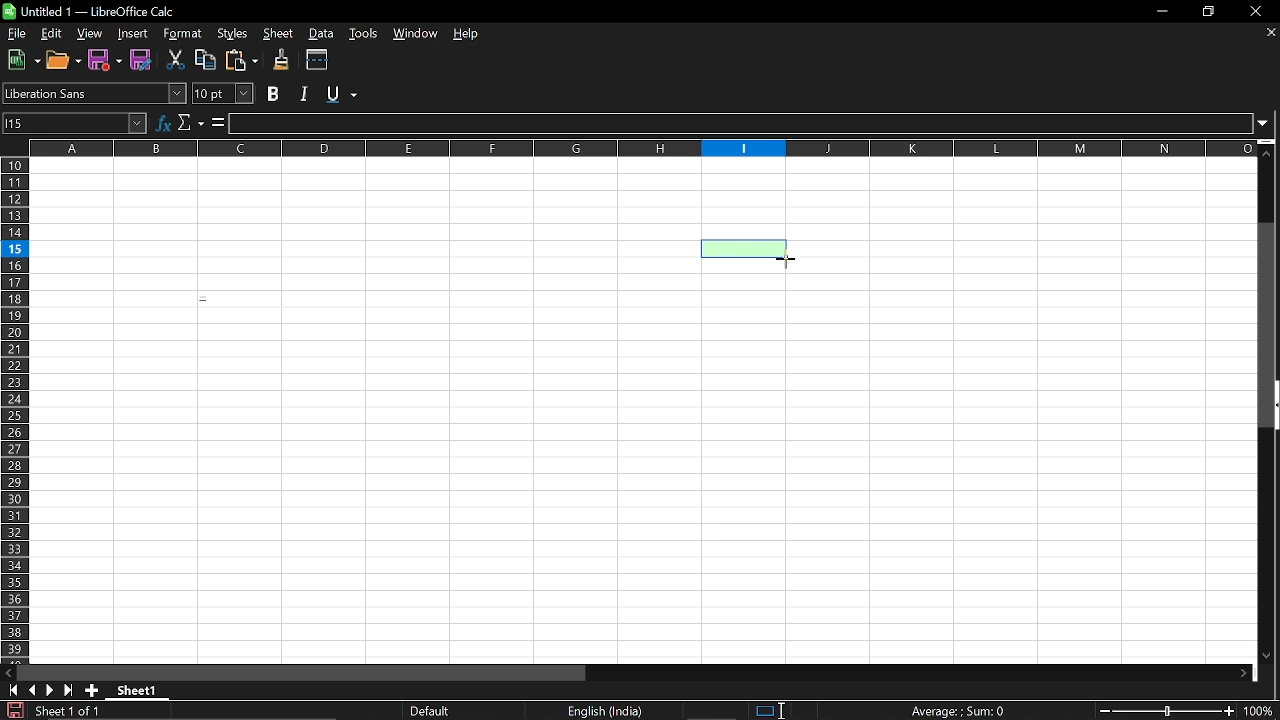 This screenshot has height=720, width=1280. I want to click on Edit, so click(50, 33).